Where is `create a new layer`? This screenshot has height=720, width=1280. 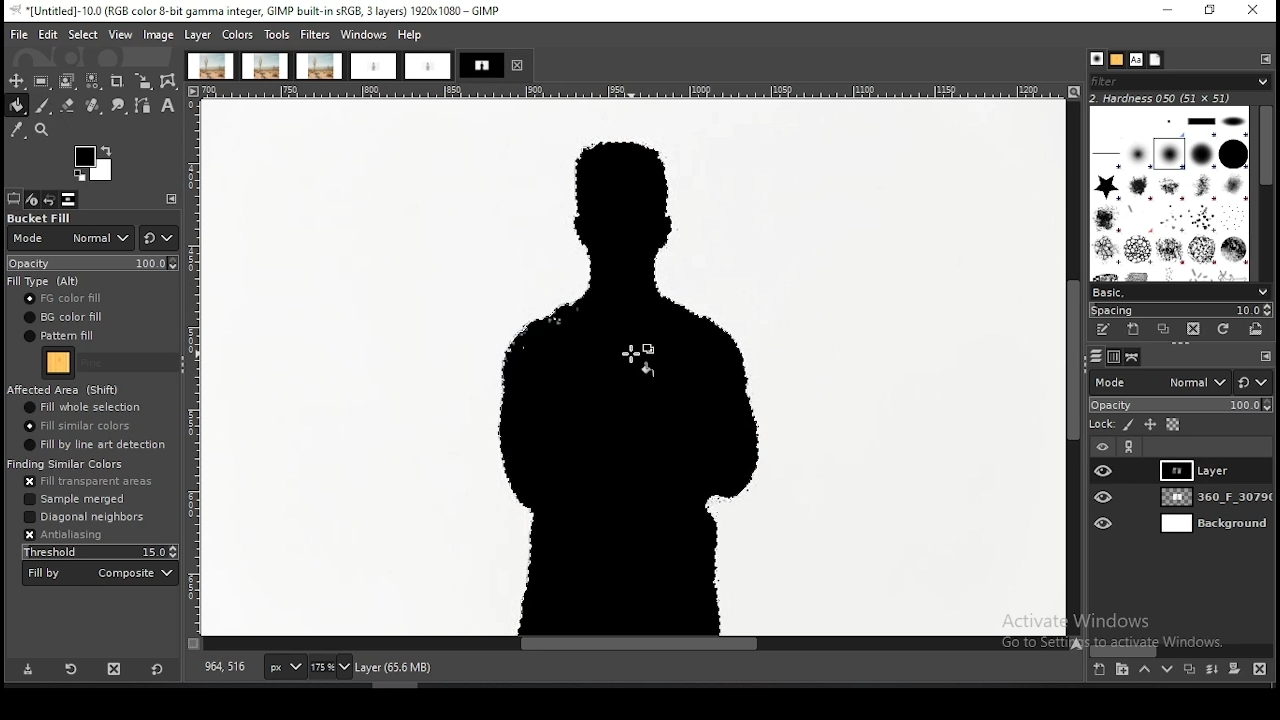
create a new layer is located at coordinates (1100, 668).